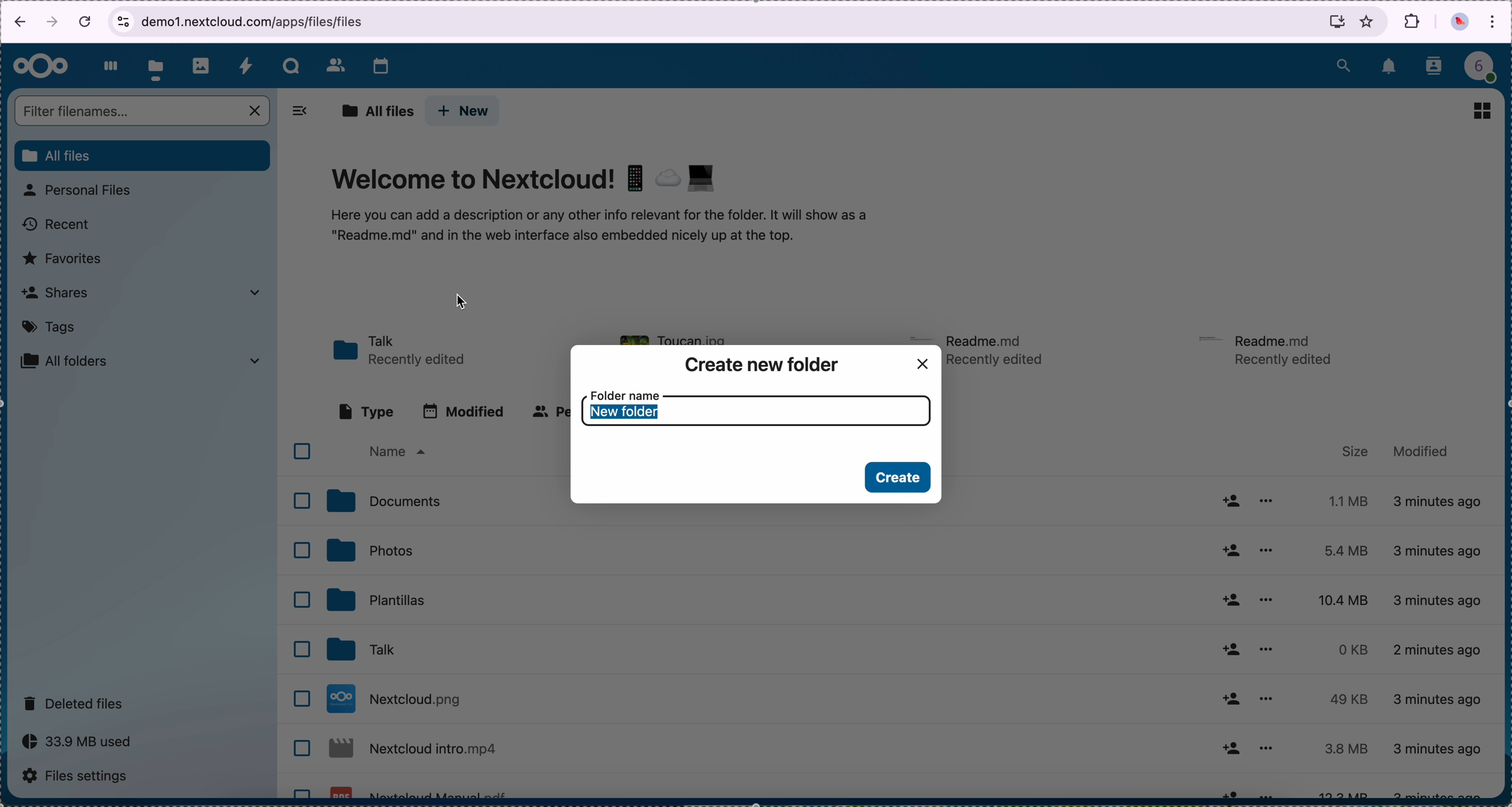 The height and width of the screenshot is (807, 1512). Describe the element at coordinates (83, 745) in the screenshot. I see `capacity` at that location.